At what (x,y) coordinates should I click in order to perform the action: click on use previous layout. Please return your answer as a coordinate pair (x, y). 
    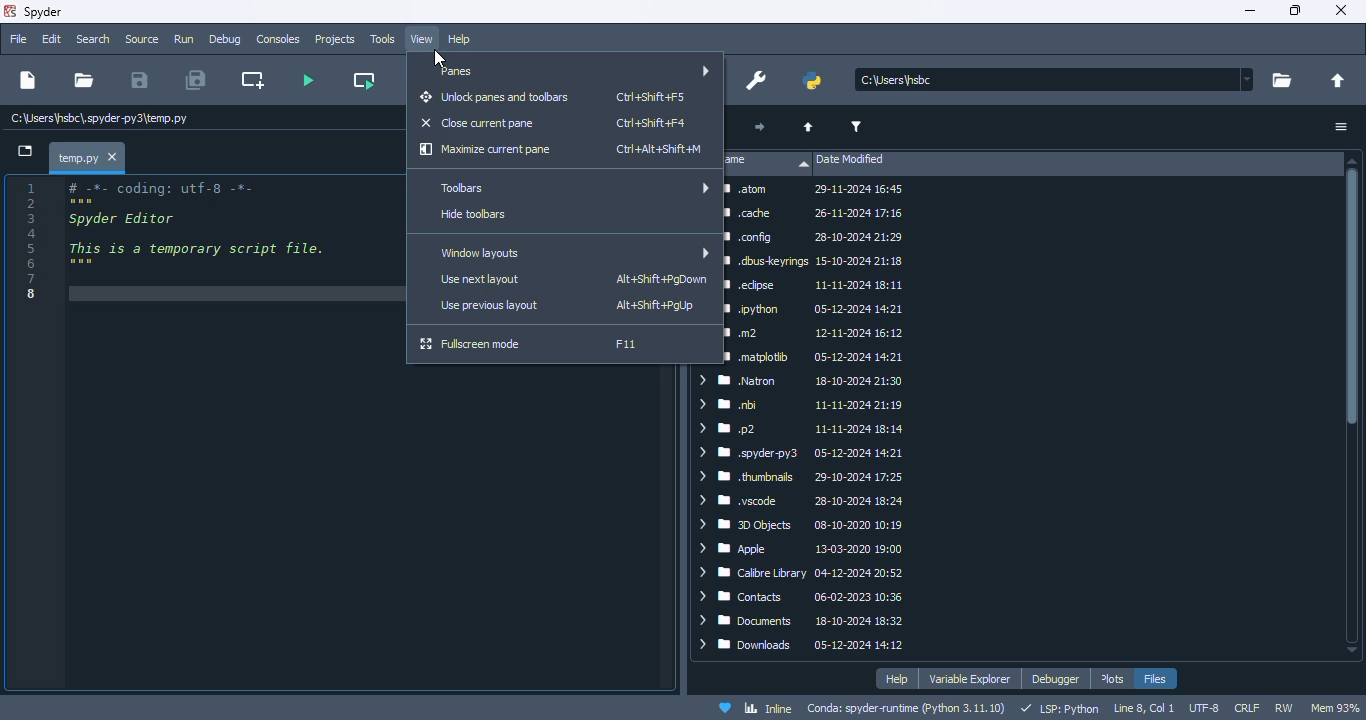
    Looking at the image, I should click on (490, 305).